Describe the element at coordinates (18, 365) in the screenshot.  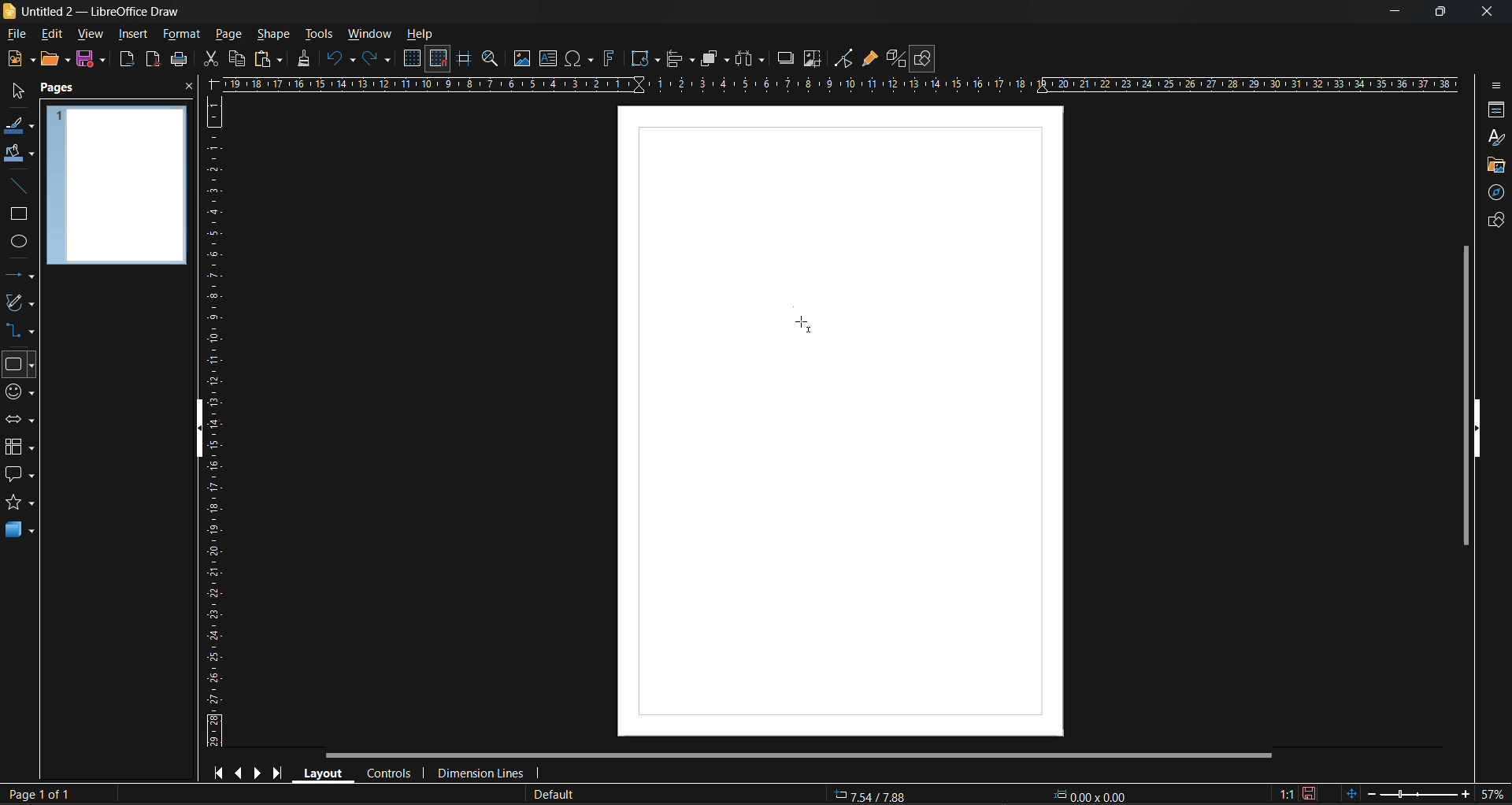
I see `basic shapes` at that location.